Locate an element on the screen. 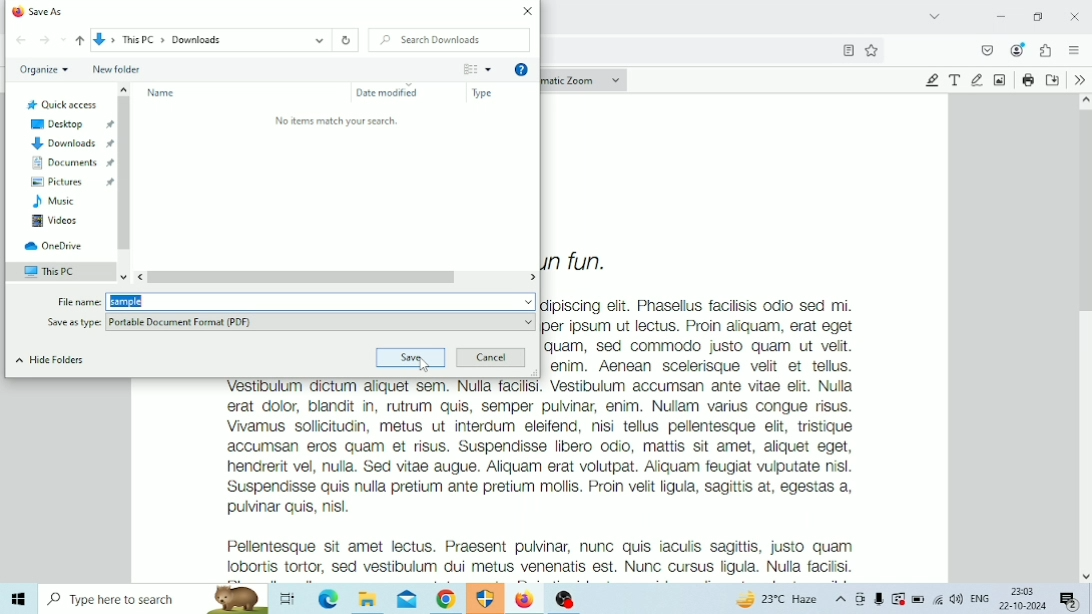 Image resolution: width=1092 pixels, height=614 pixels. Address bar is located at coordinates (645, 51).